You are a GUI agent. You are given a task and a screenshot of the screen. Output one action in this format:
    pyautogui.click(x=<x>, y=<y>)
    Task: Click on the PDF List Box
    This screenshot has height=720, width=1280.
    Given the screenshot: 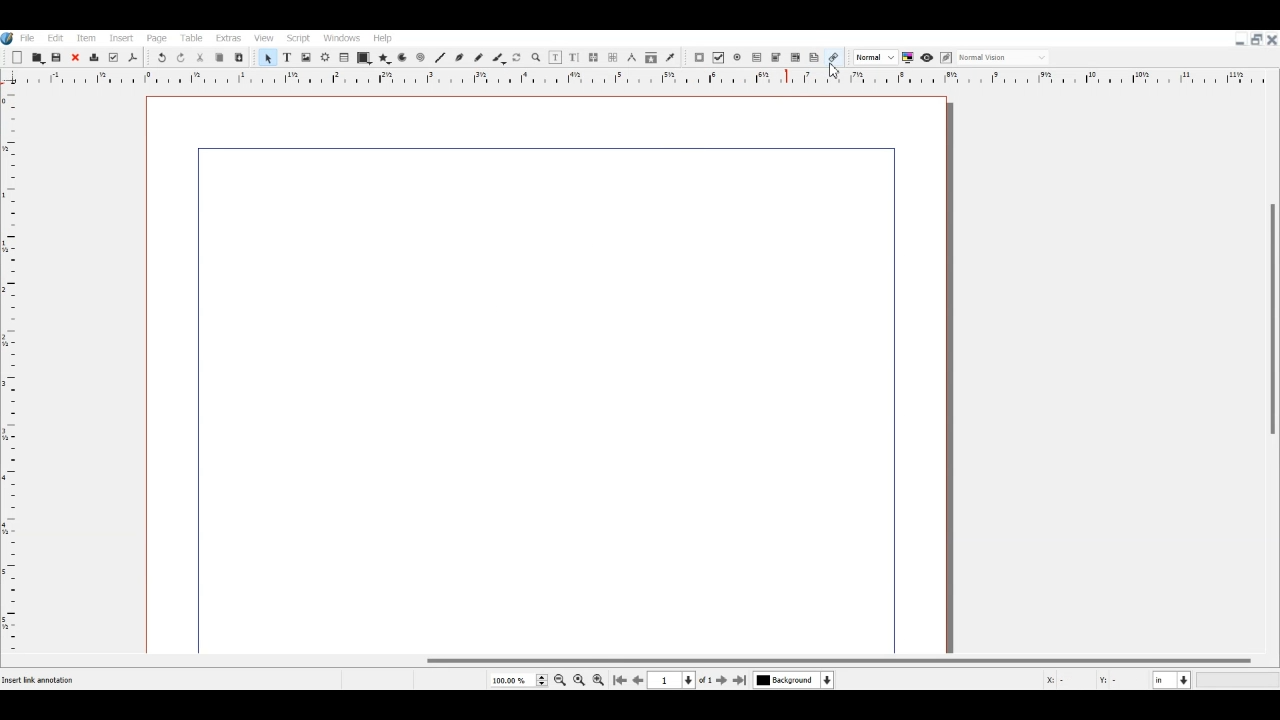 What is the action you would take?
    pyautogui.click(x=795, y=58)
    